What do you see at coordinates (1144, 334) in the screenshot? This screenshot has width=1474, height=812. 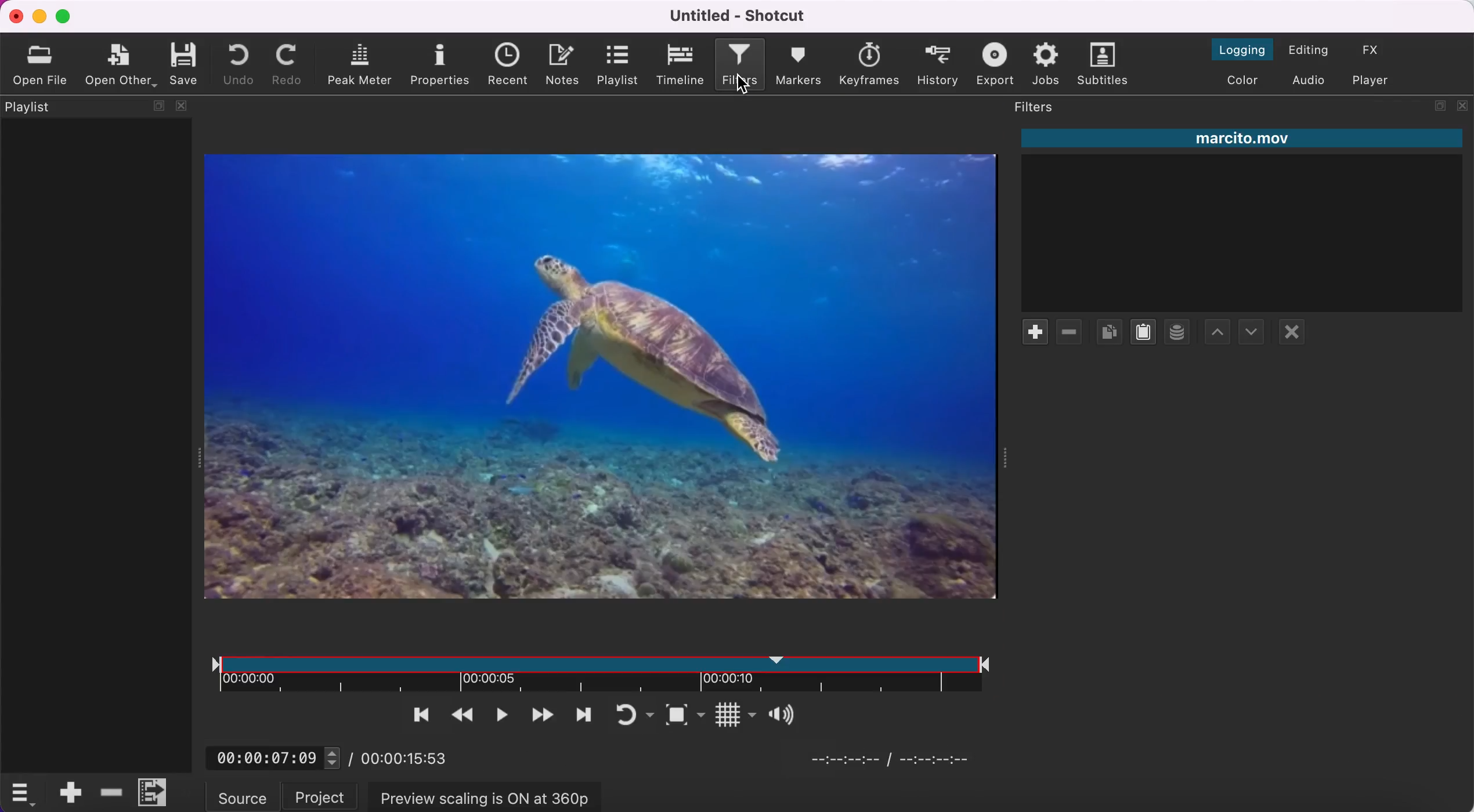 I see `paste filters` at bounding box center [1144, 334].